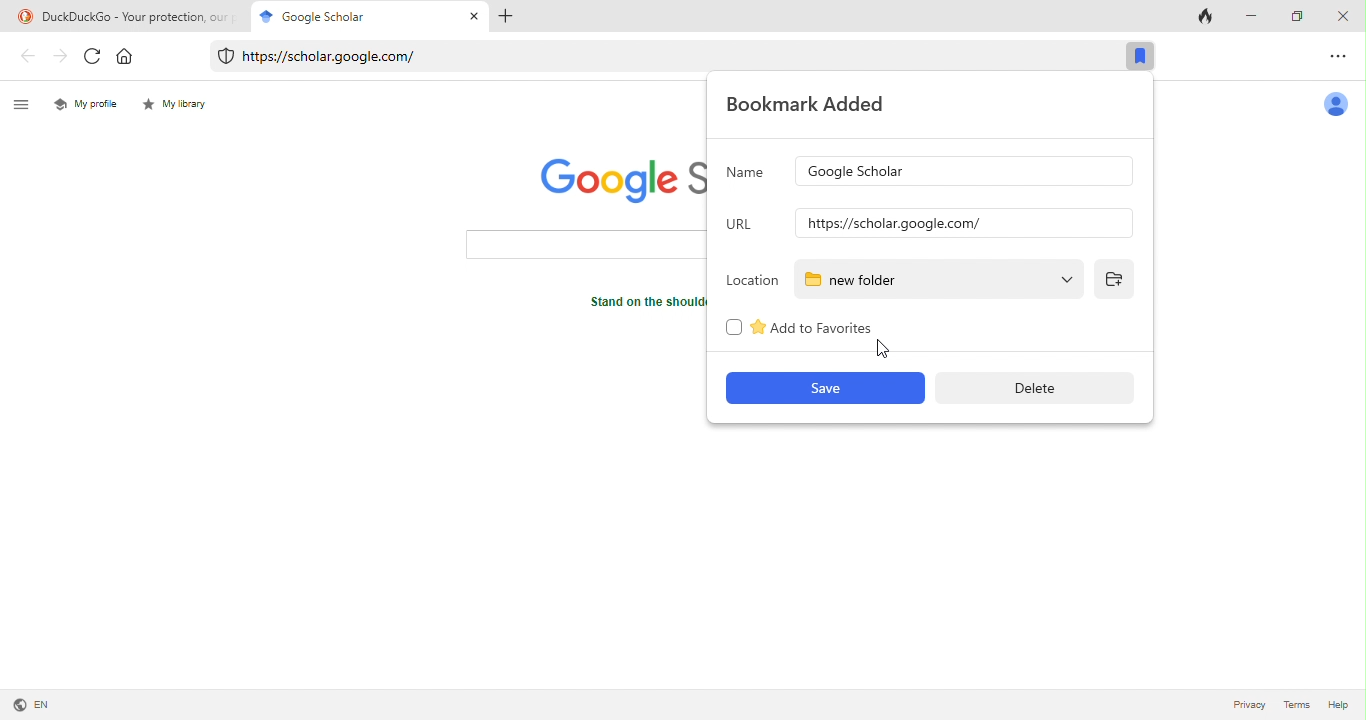  I want to click on google scholar logo, so click(614, 180).